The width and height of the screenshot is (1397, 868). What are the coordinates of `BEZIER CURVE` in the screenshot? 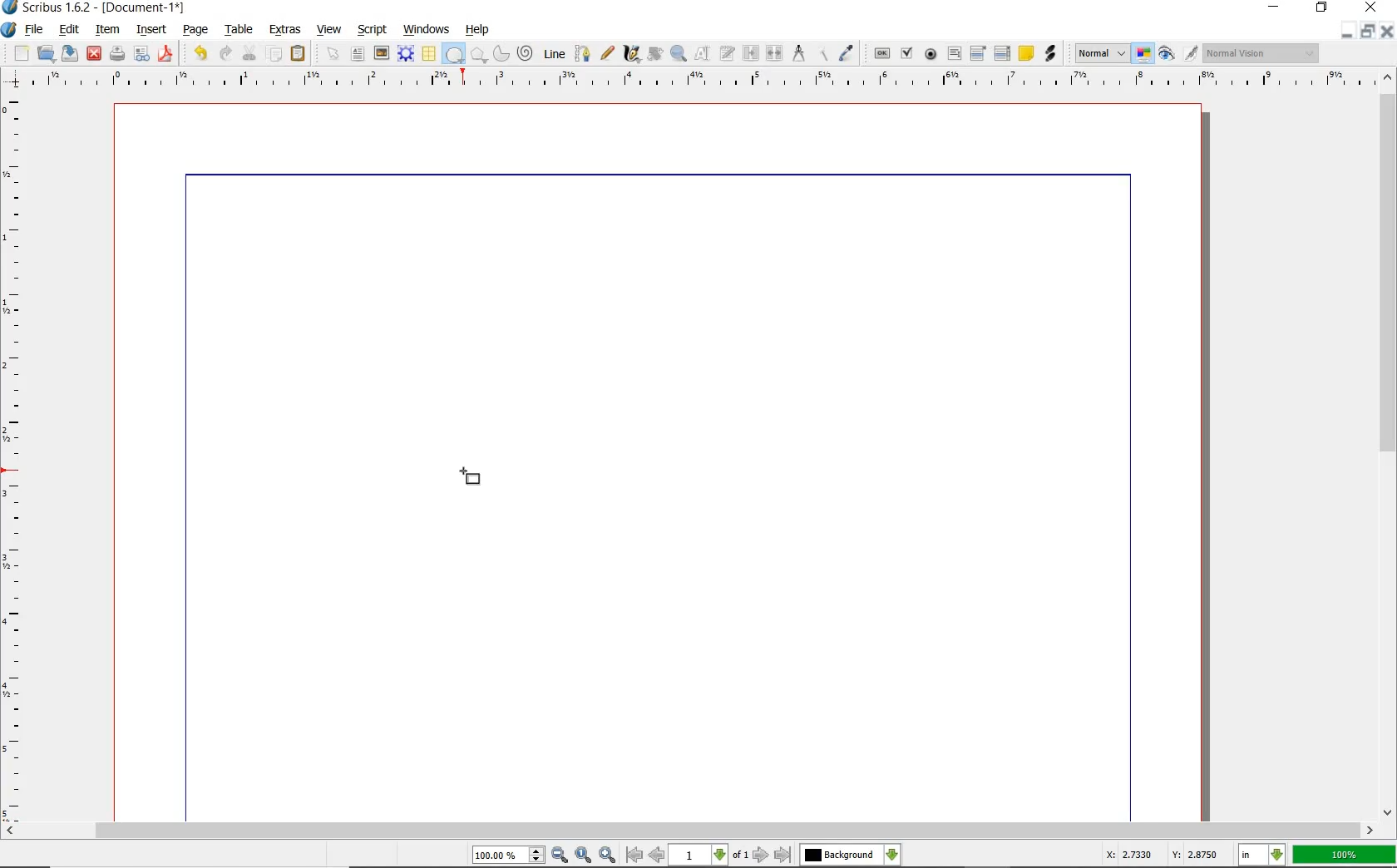 It's located at (583, 53).